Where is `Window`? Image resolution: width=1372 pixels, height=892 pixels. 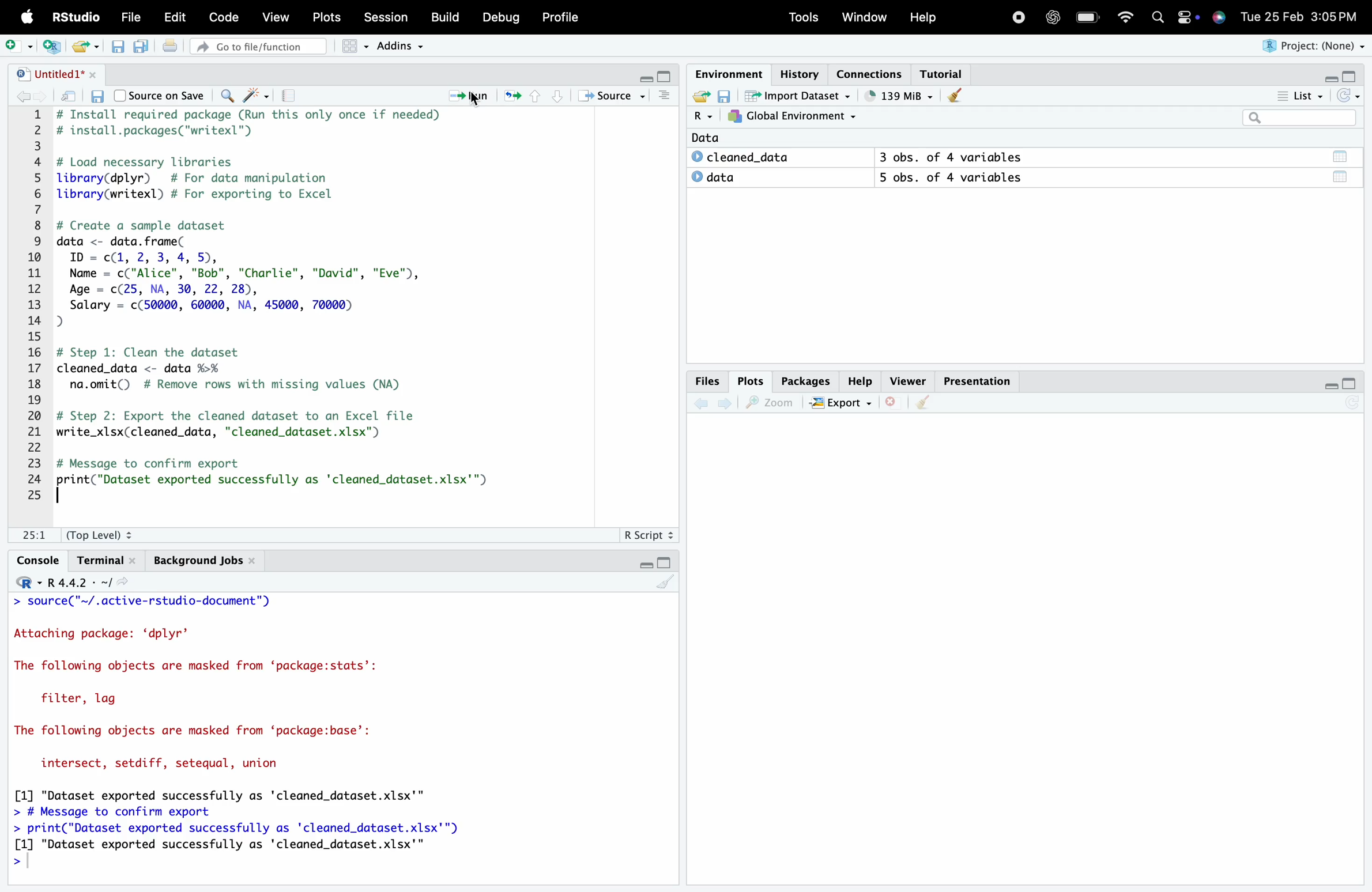
Window is located at coordinates (866, 18).